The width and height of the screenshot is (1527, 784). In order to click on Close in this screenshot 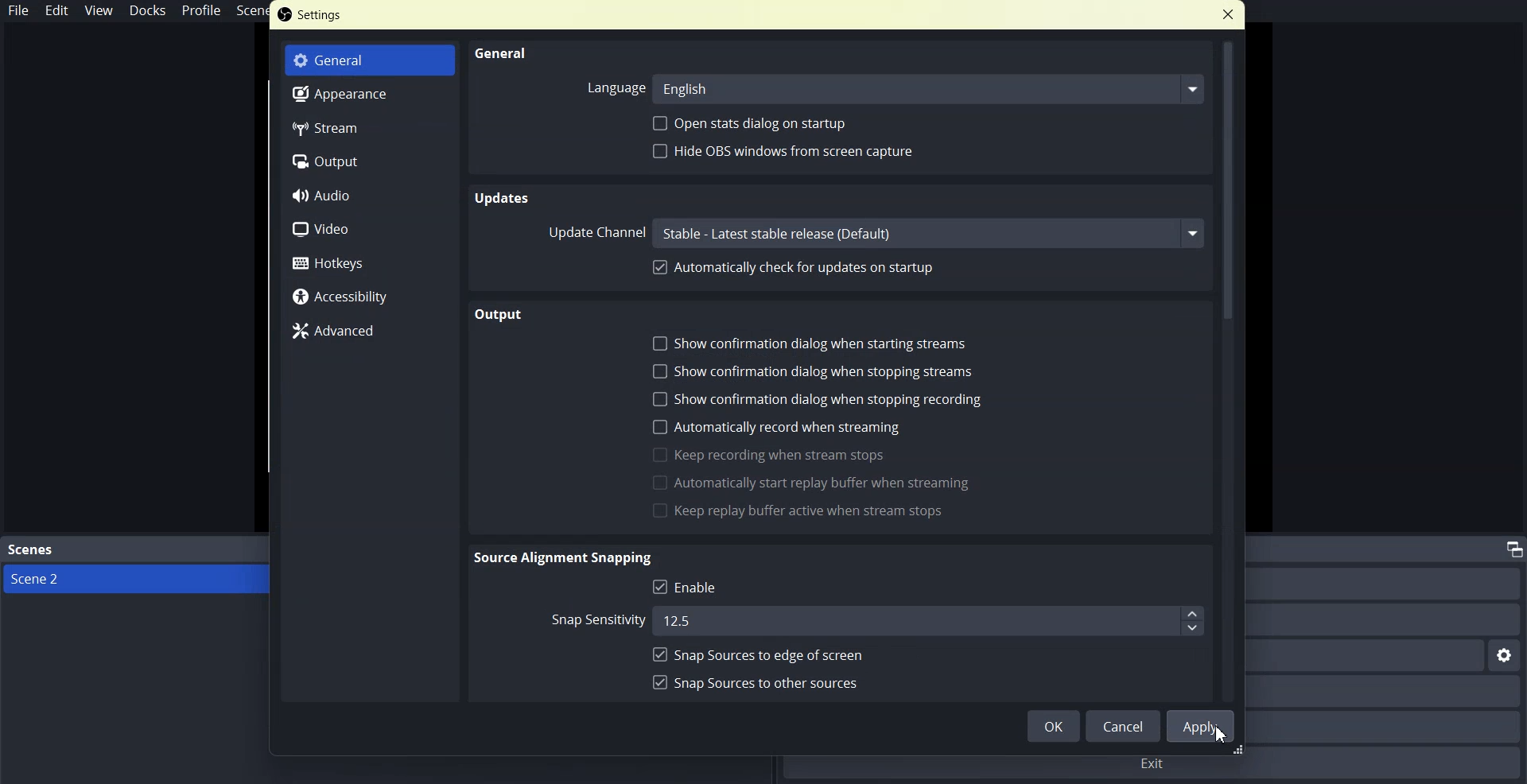, I will do `click(1229, 15)`.